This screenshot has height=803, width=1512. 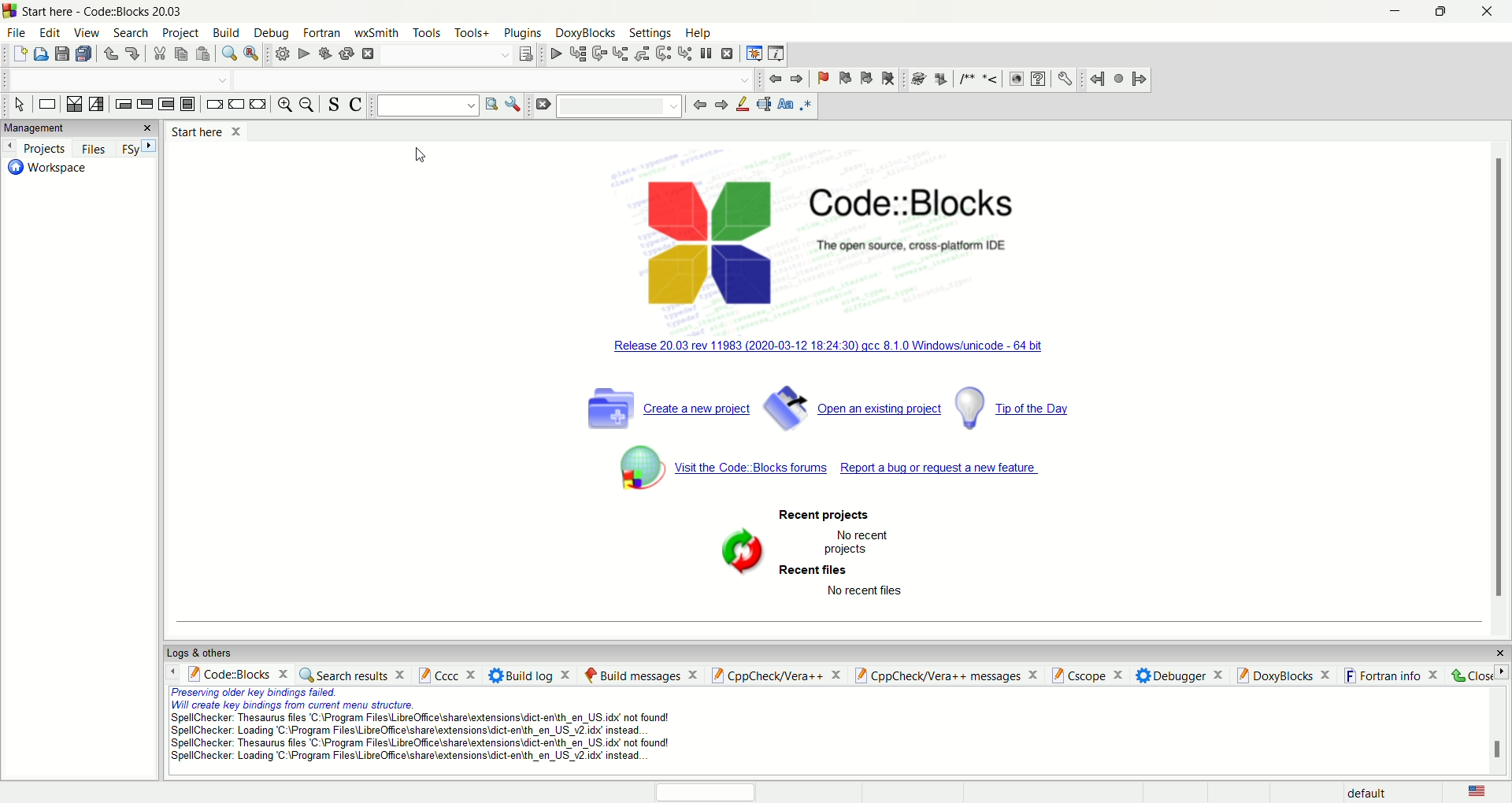 What do you see at coordinates (650, 34) in the screenshot?
I see `settings` at bounding box center [650, 34].